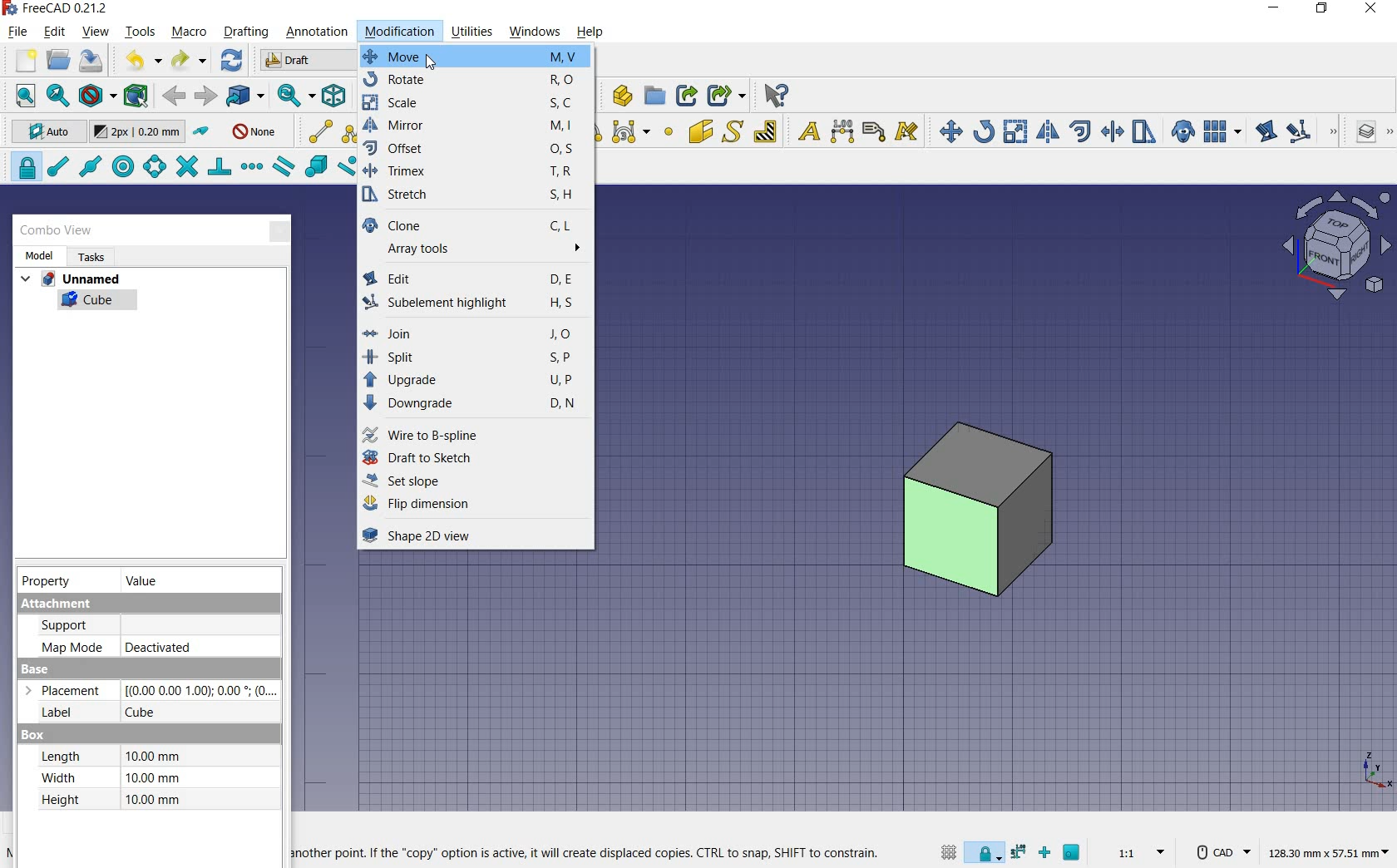 The image size is (1397, 868). Describe the element at coordinates (1081, 131) in the screenshot. I see `offset` at that location.